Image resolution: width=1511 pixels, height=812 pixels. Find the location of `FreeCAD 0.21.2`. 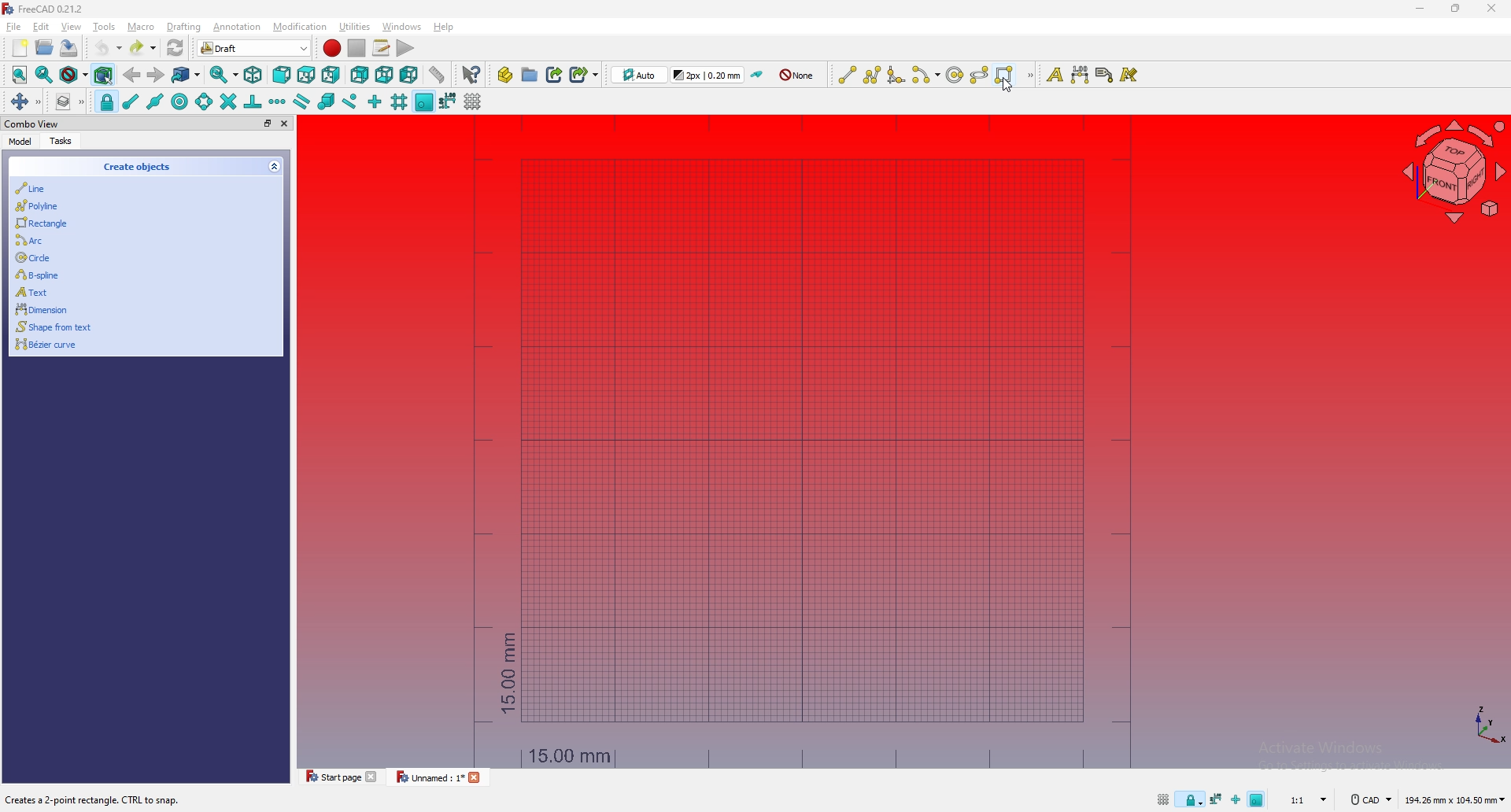

FreeCAD 0.21.2 is located at coordinates (45, 8).